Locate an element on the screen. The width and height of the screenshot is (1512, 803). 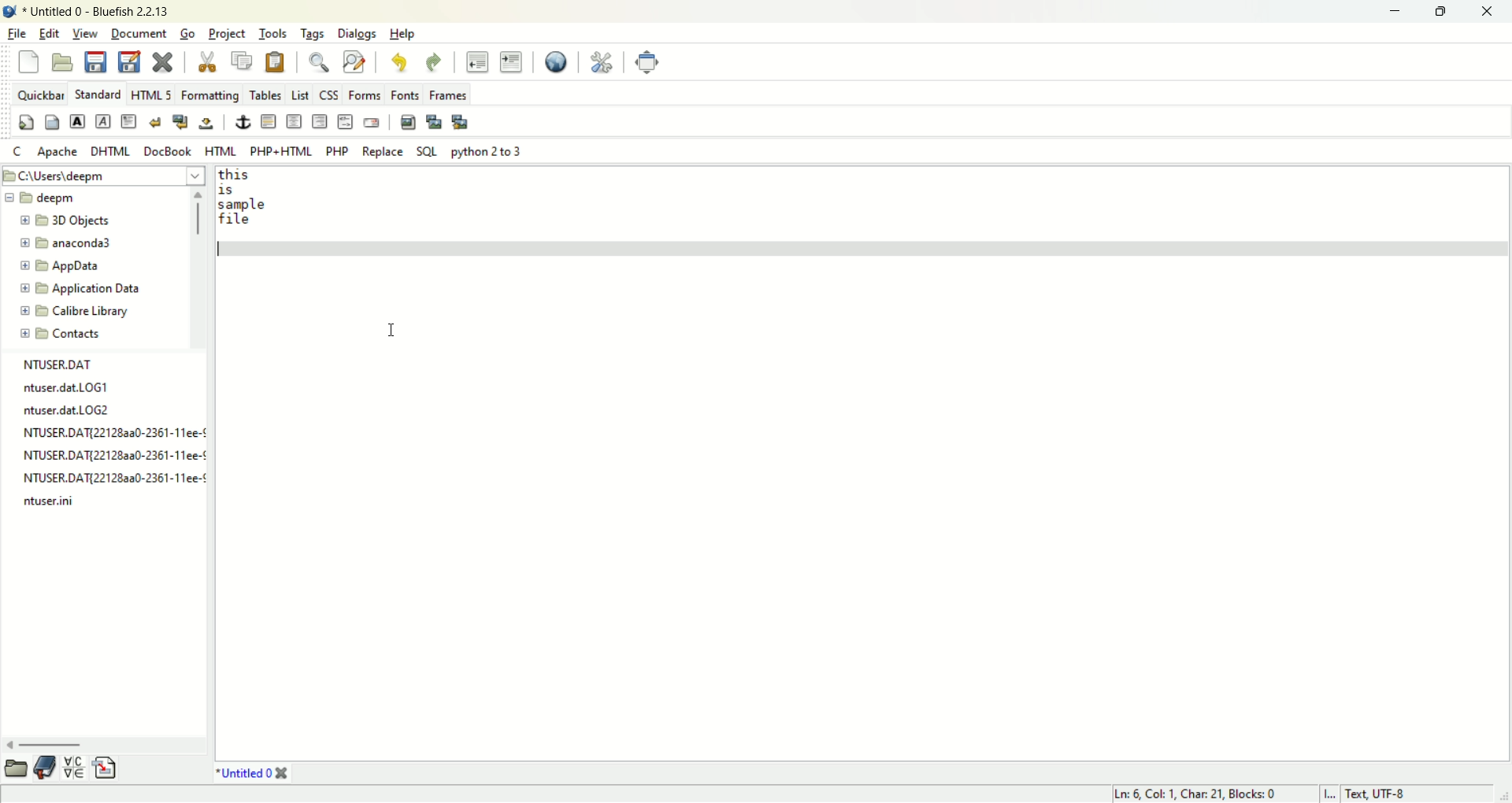
REPLACE is located at coordinates (383, 152).